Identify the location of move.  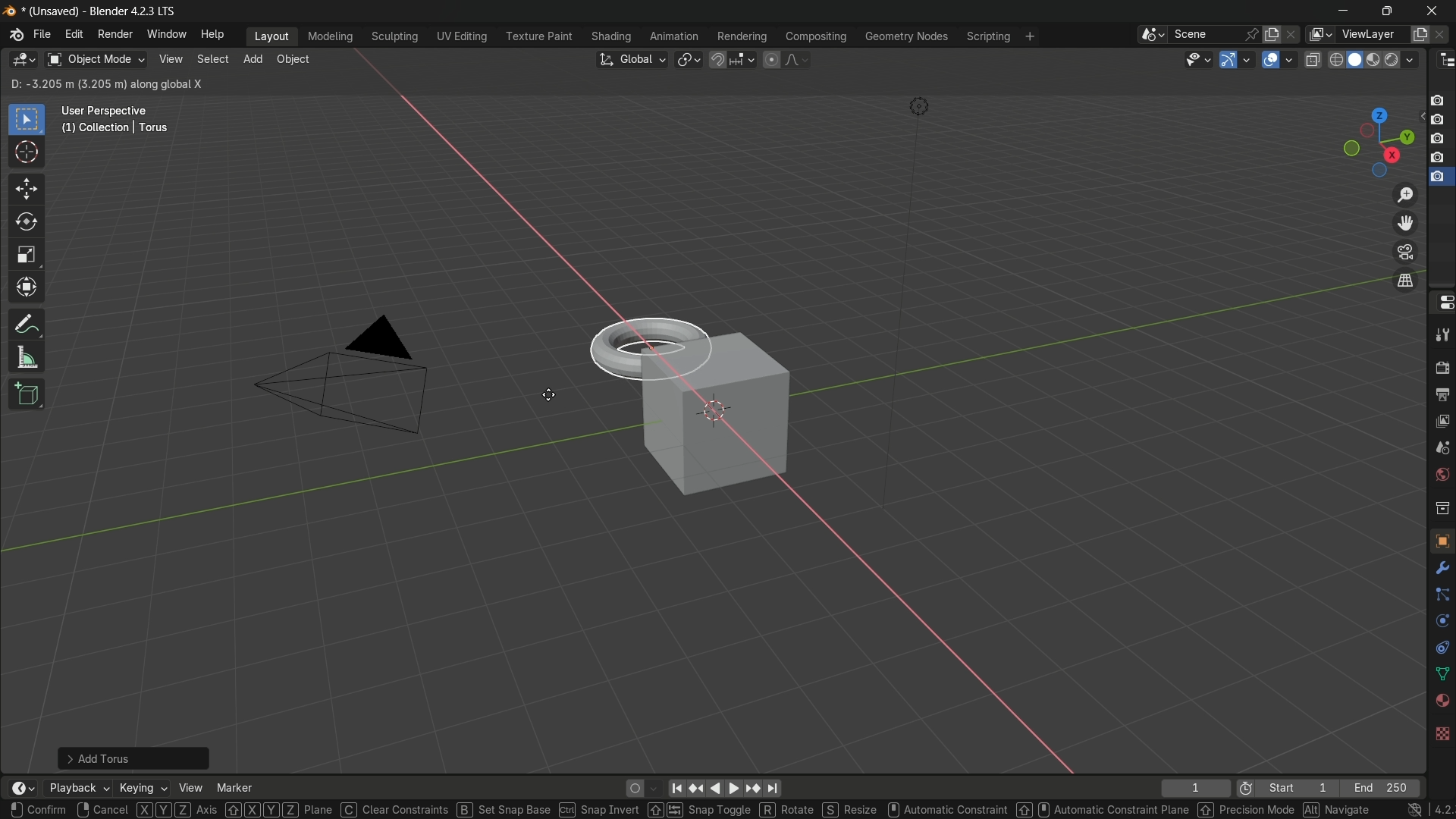
(27, 190).